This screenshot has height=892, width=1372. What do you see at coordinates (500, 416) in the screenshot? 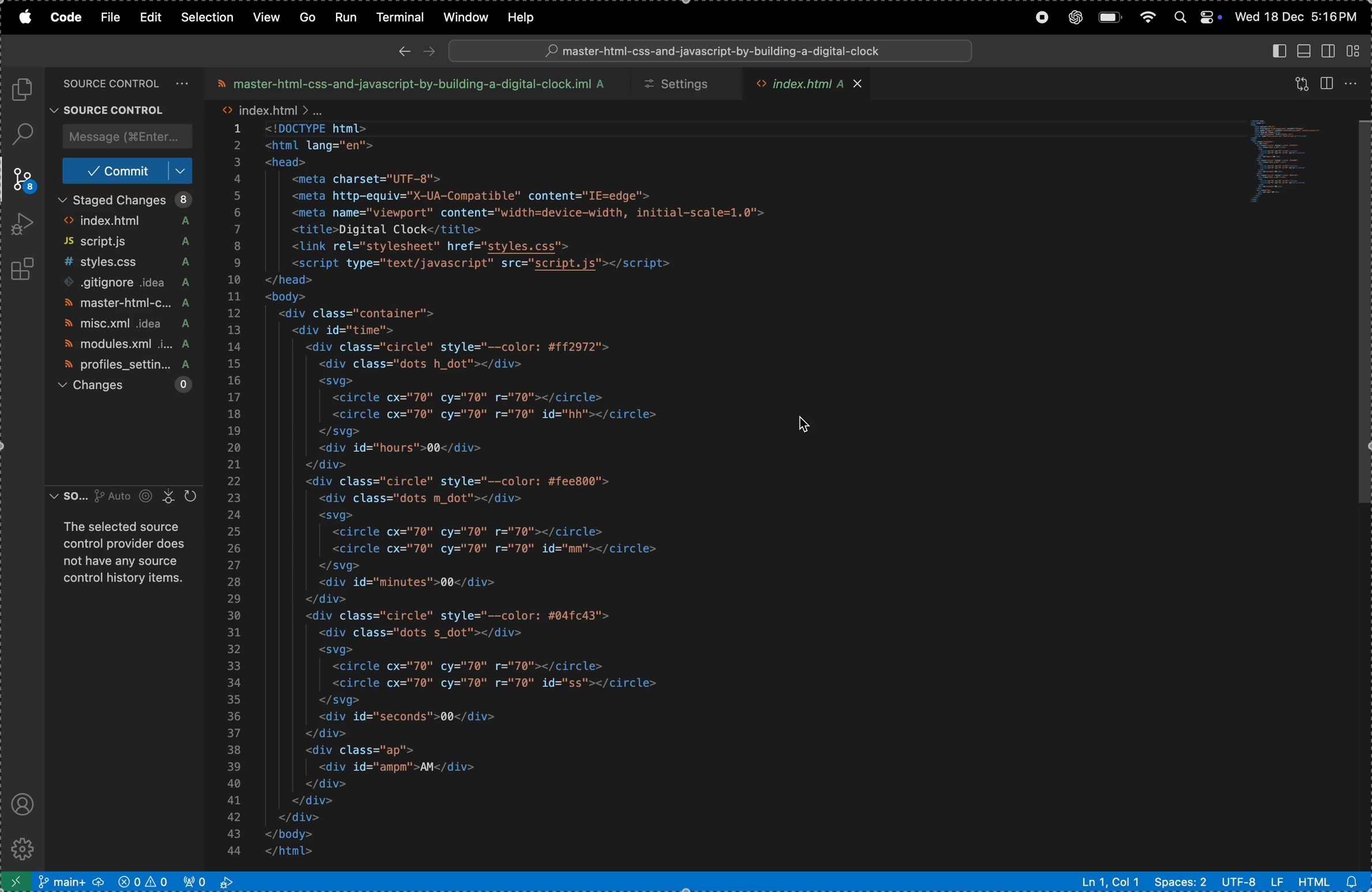
I see `<circle cx="70" cy="70" r="70" id="hh"></circle>` at bounding box center [500, 416].